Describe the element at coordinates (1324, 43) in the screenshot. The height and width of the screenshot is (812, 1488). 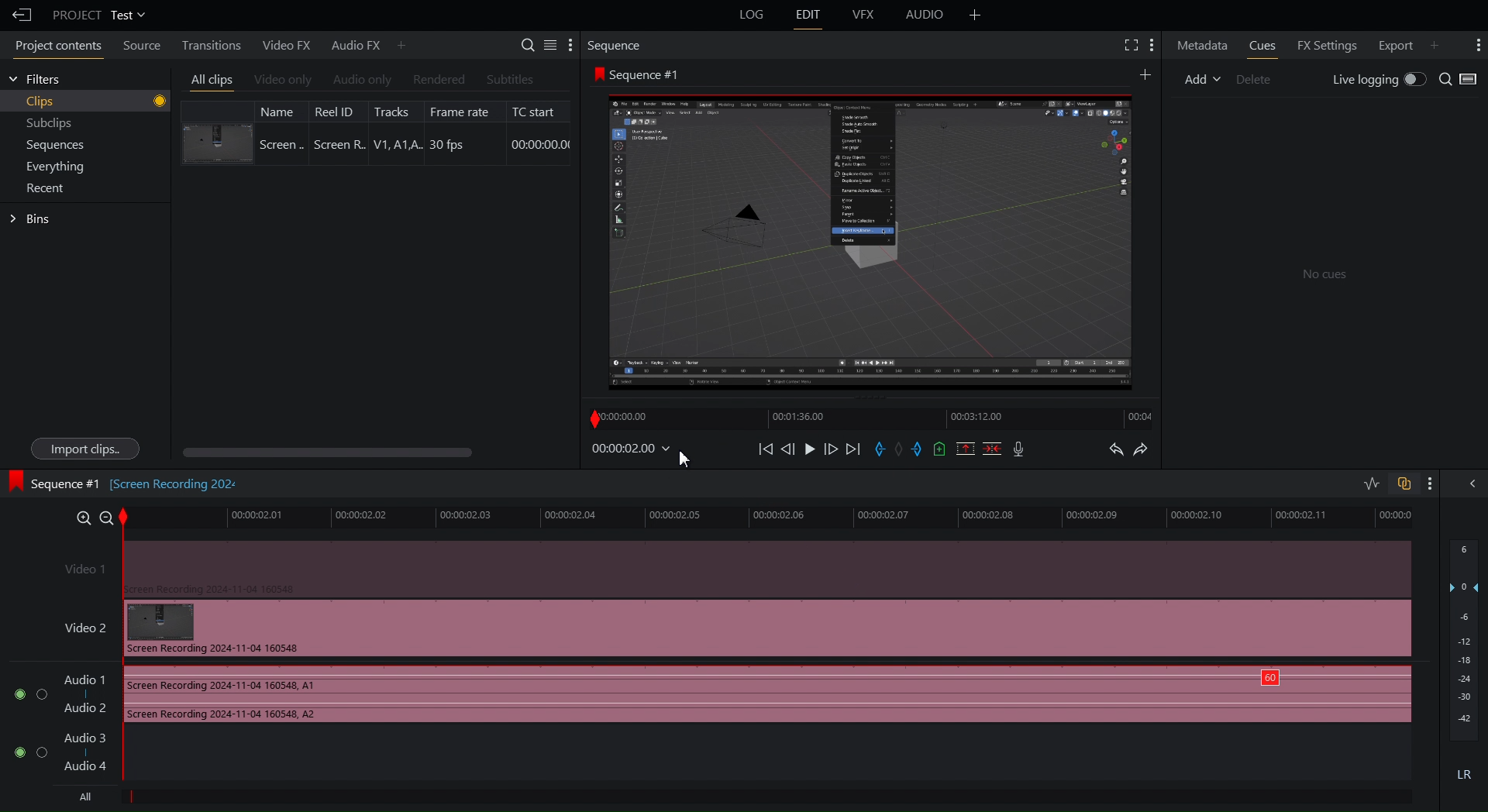
I see `FX Settings` at that location.